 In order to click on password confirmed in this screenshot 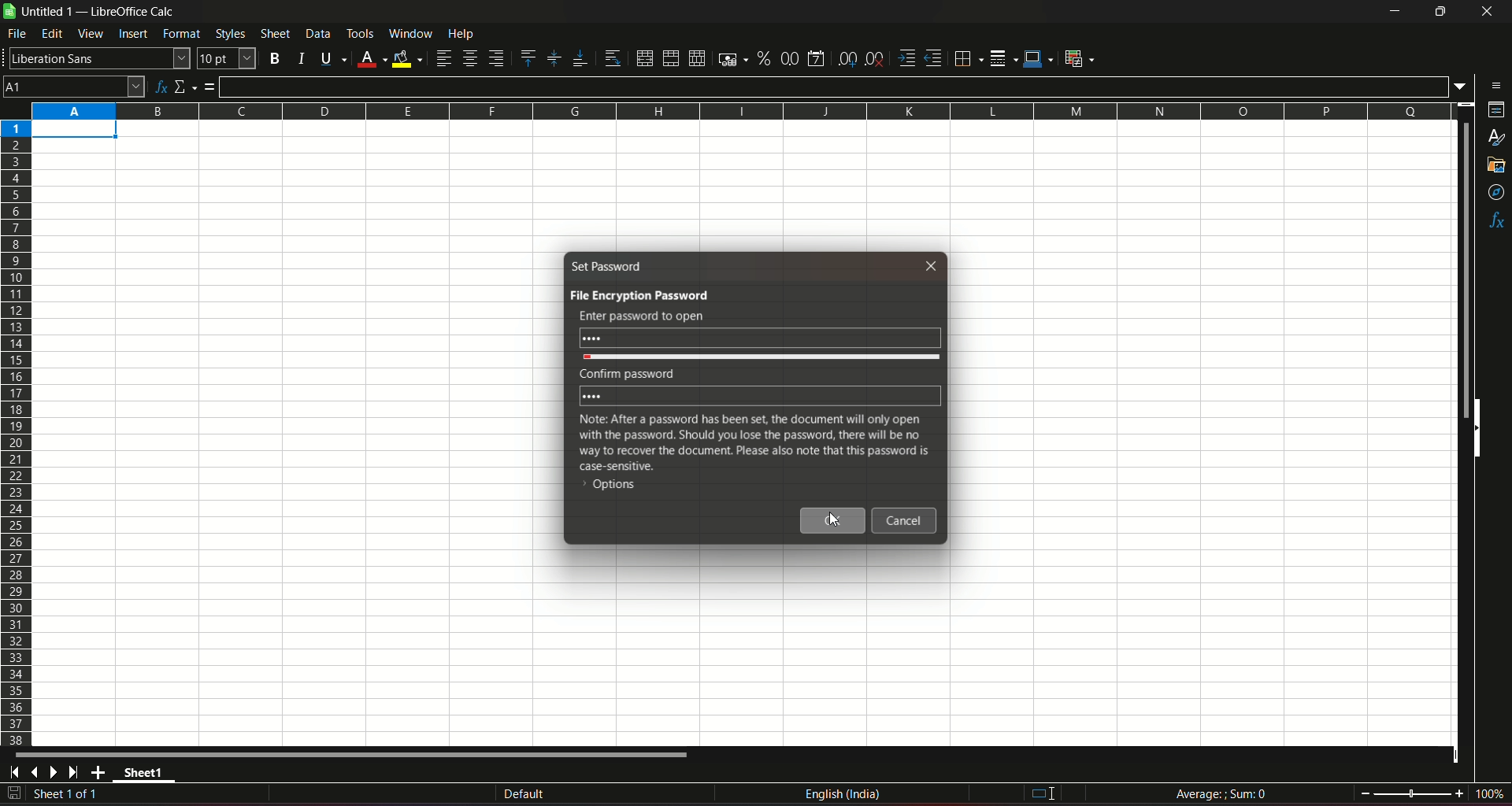, I will do `click(760, 396)`.